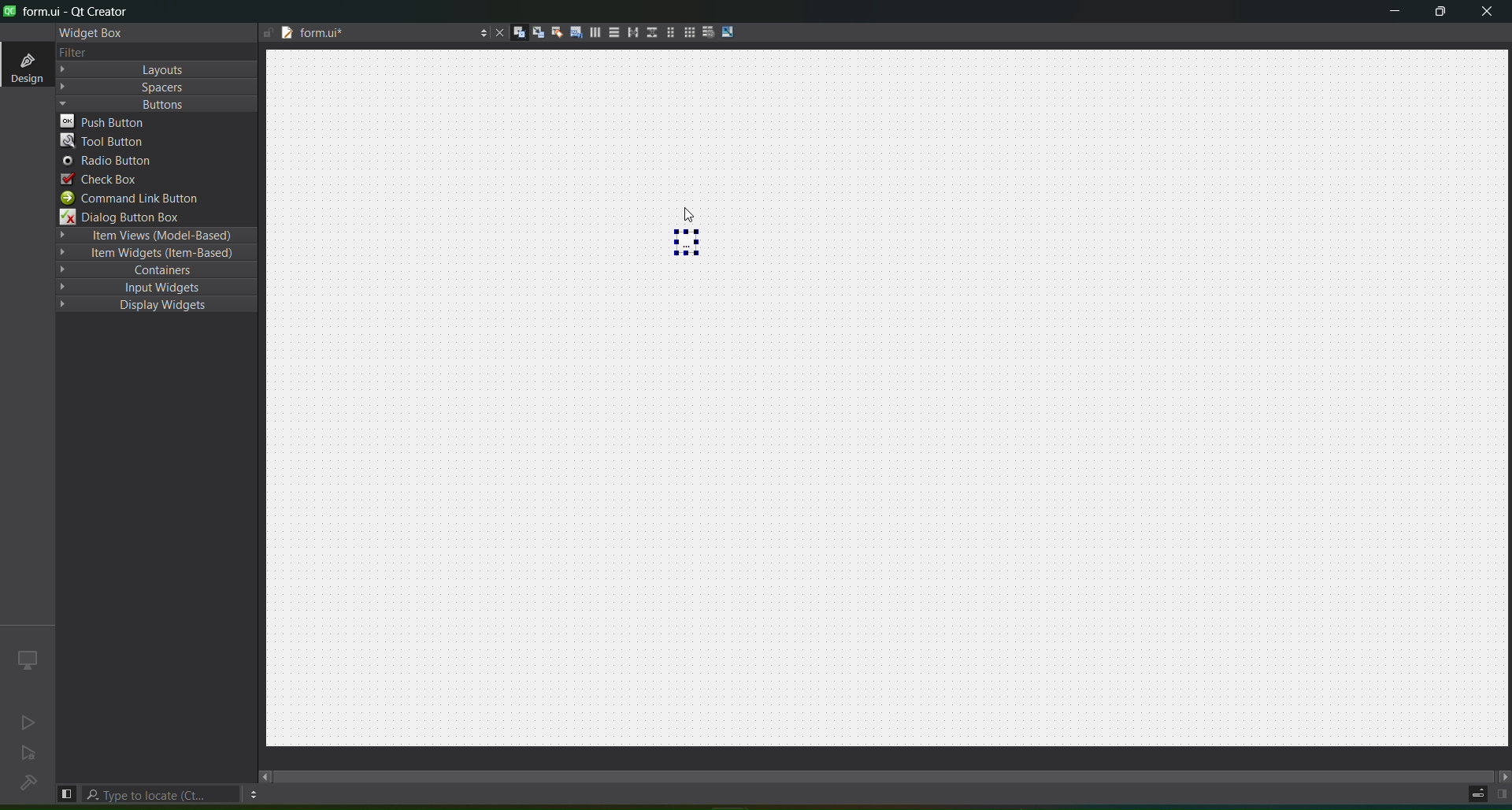 The width and height of the screenshot is (1512, 810). What do you see at coordinates (28, 659) in the screenshot?
I see `icon` at bounding box center [28, 659].